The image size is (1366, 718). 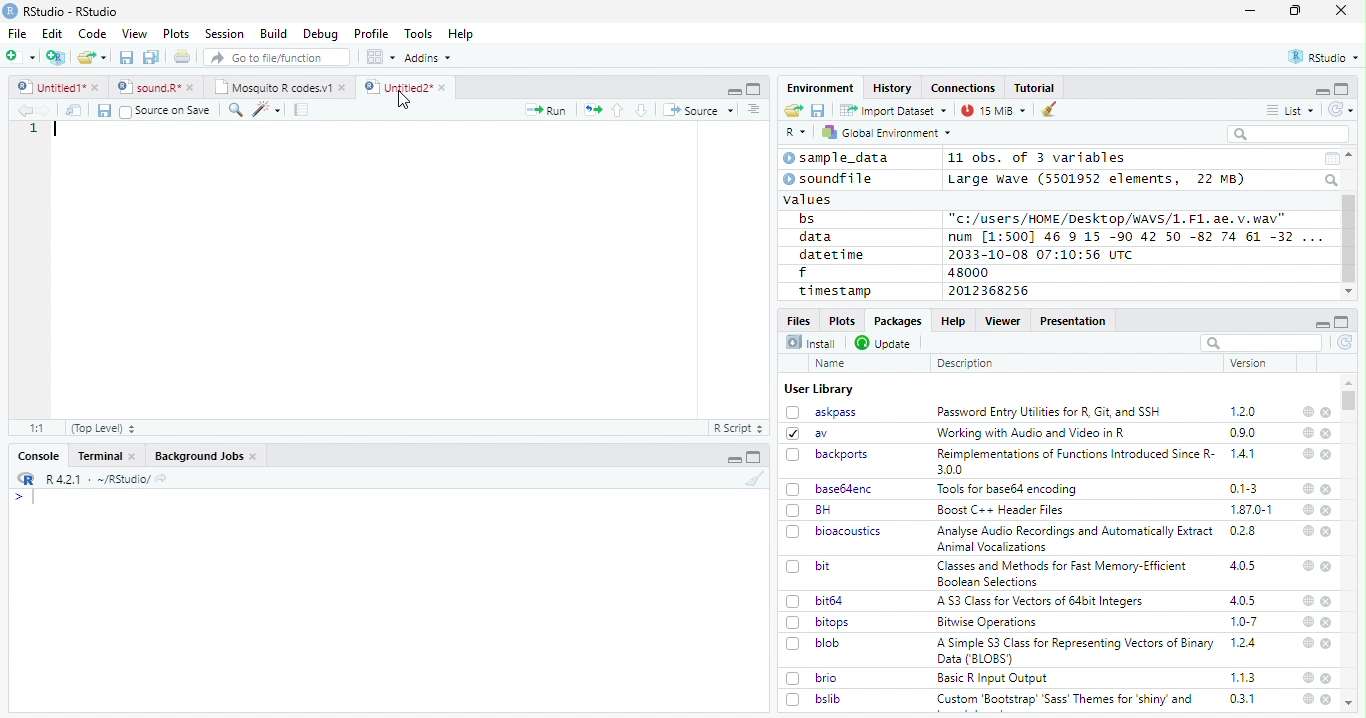 I want to click on close, so click(x=1328, y=644).